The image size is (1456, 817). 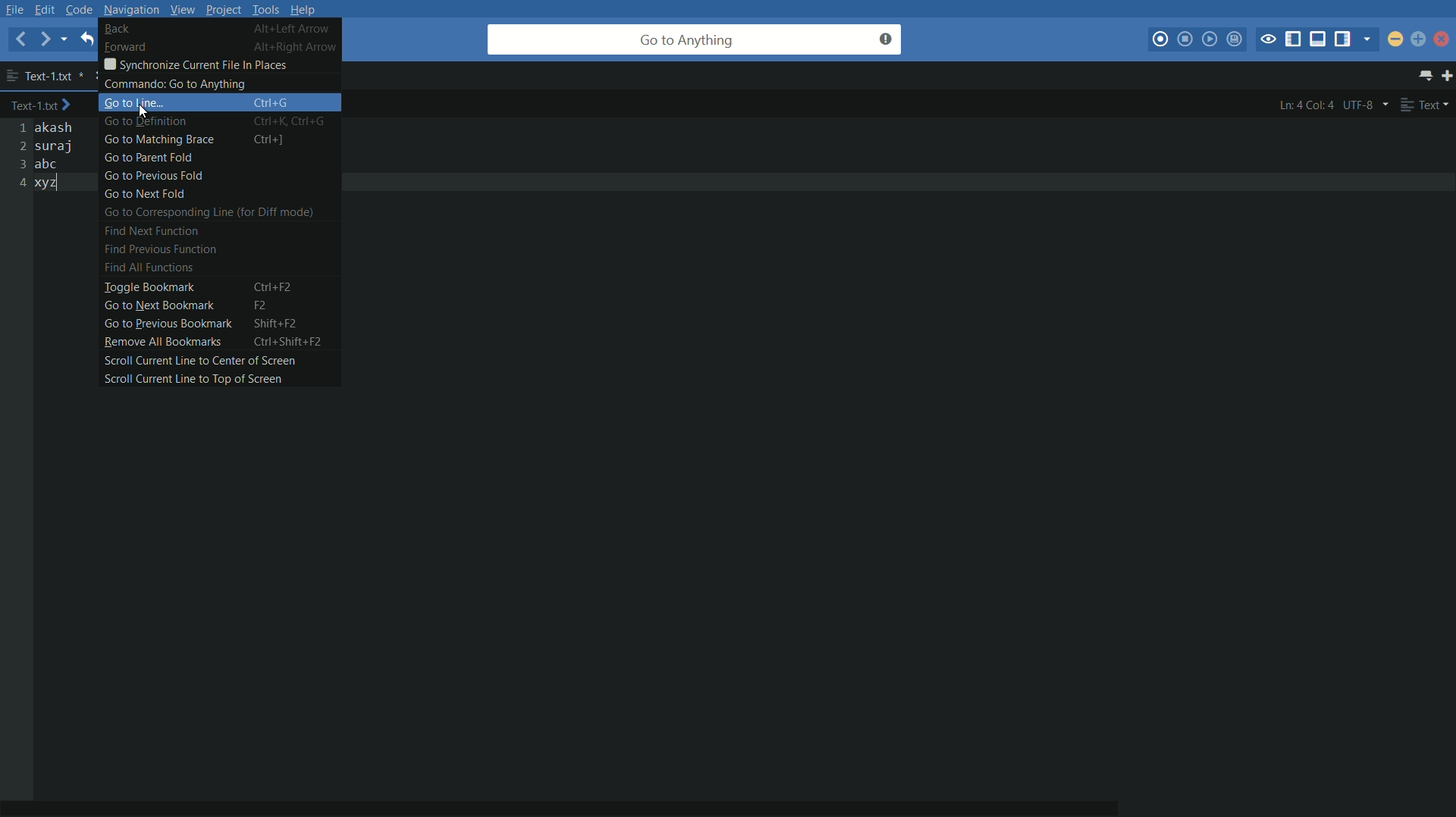 I want to click on go to next bookmark, so click(x=158, y=306).